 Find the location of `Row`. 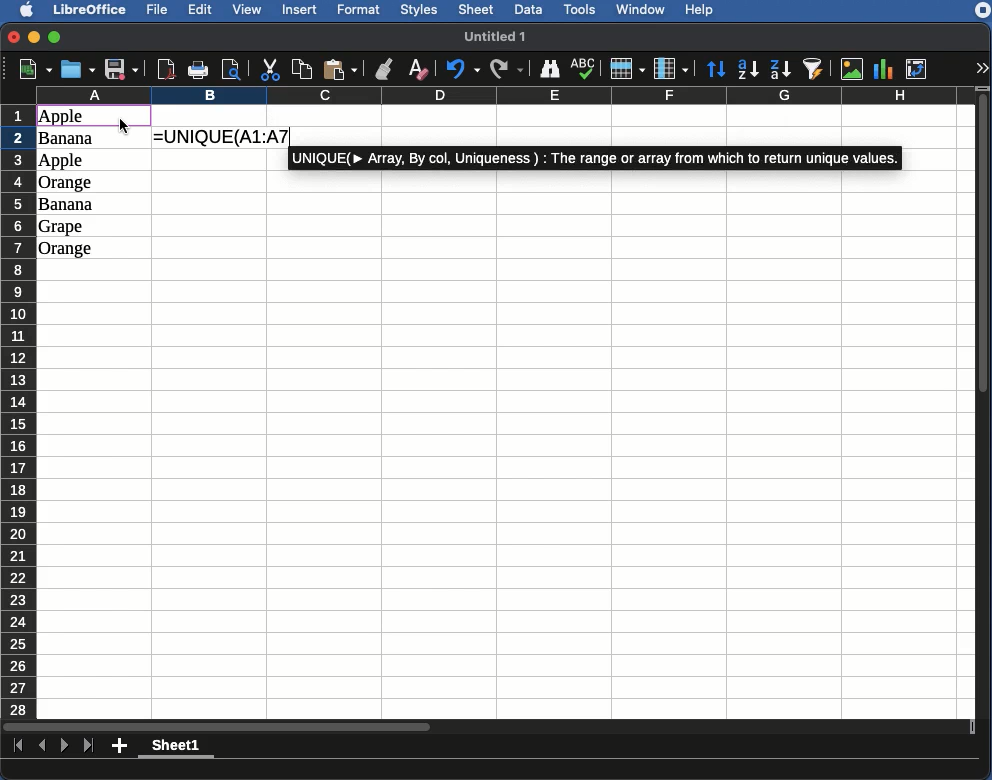

Row is located at coordinates (626, 69).